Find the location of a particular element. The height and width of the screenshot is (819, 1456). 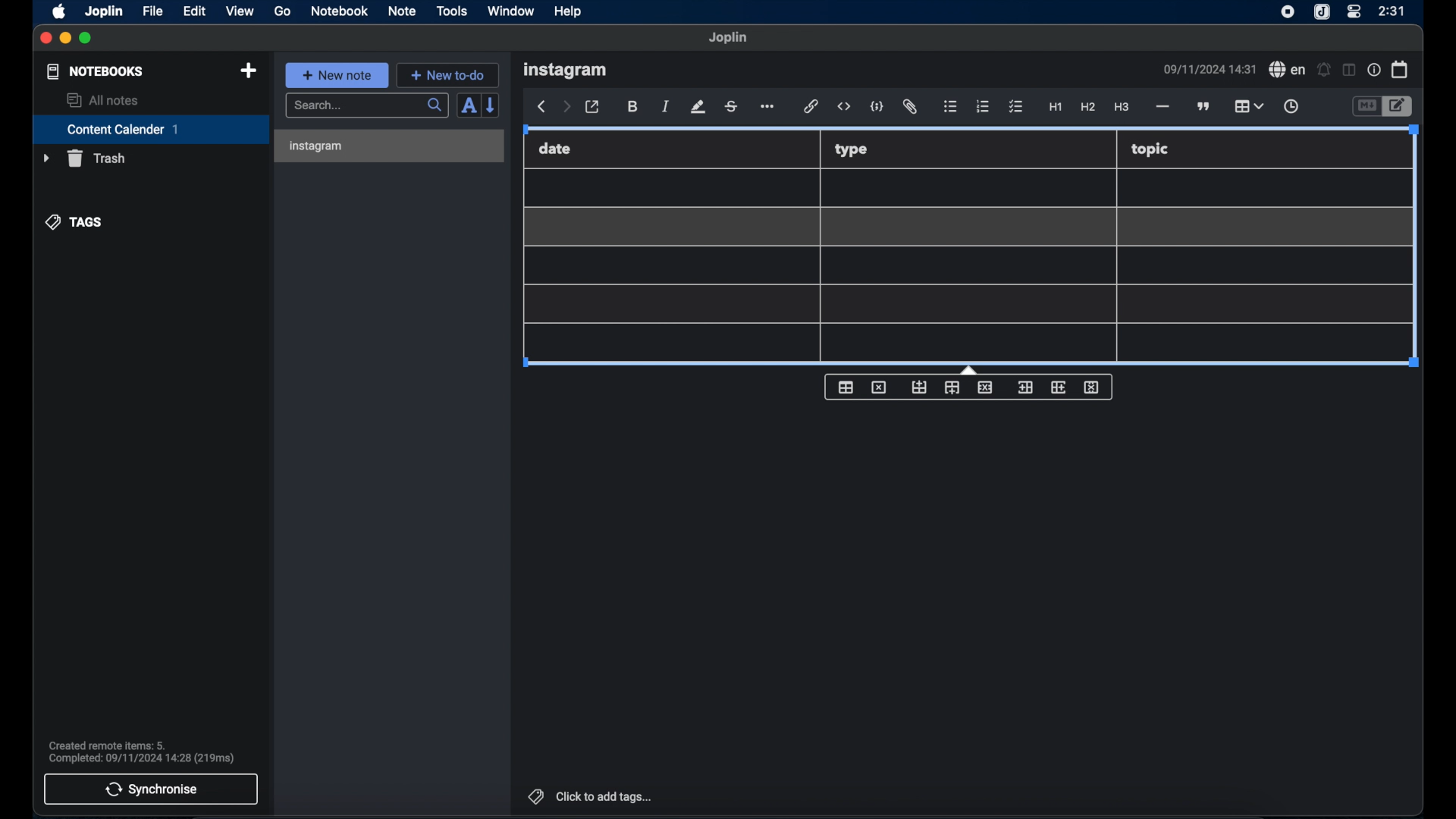

delete column is located at coordinates (1092, 388).